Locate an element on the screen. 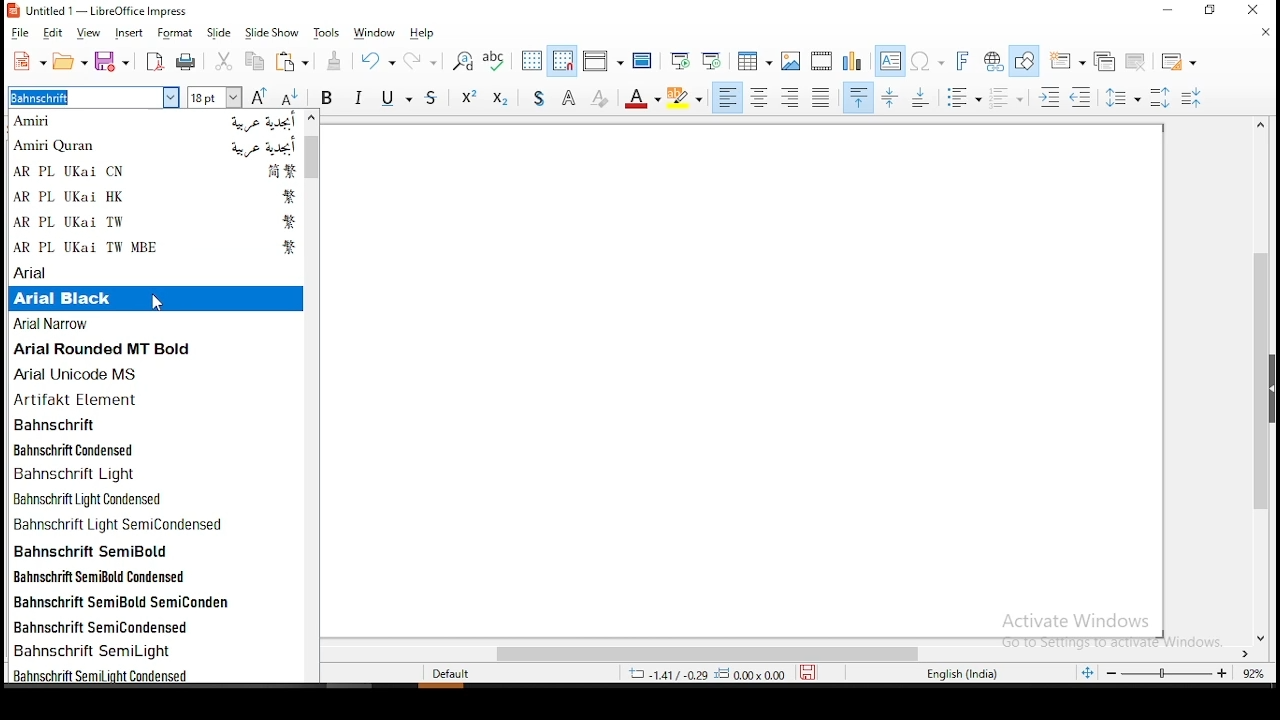 Image resolution: width=1280 pixels, height=720 pixels. arial narrow is located at coordinates (157, 325).